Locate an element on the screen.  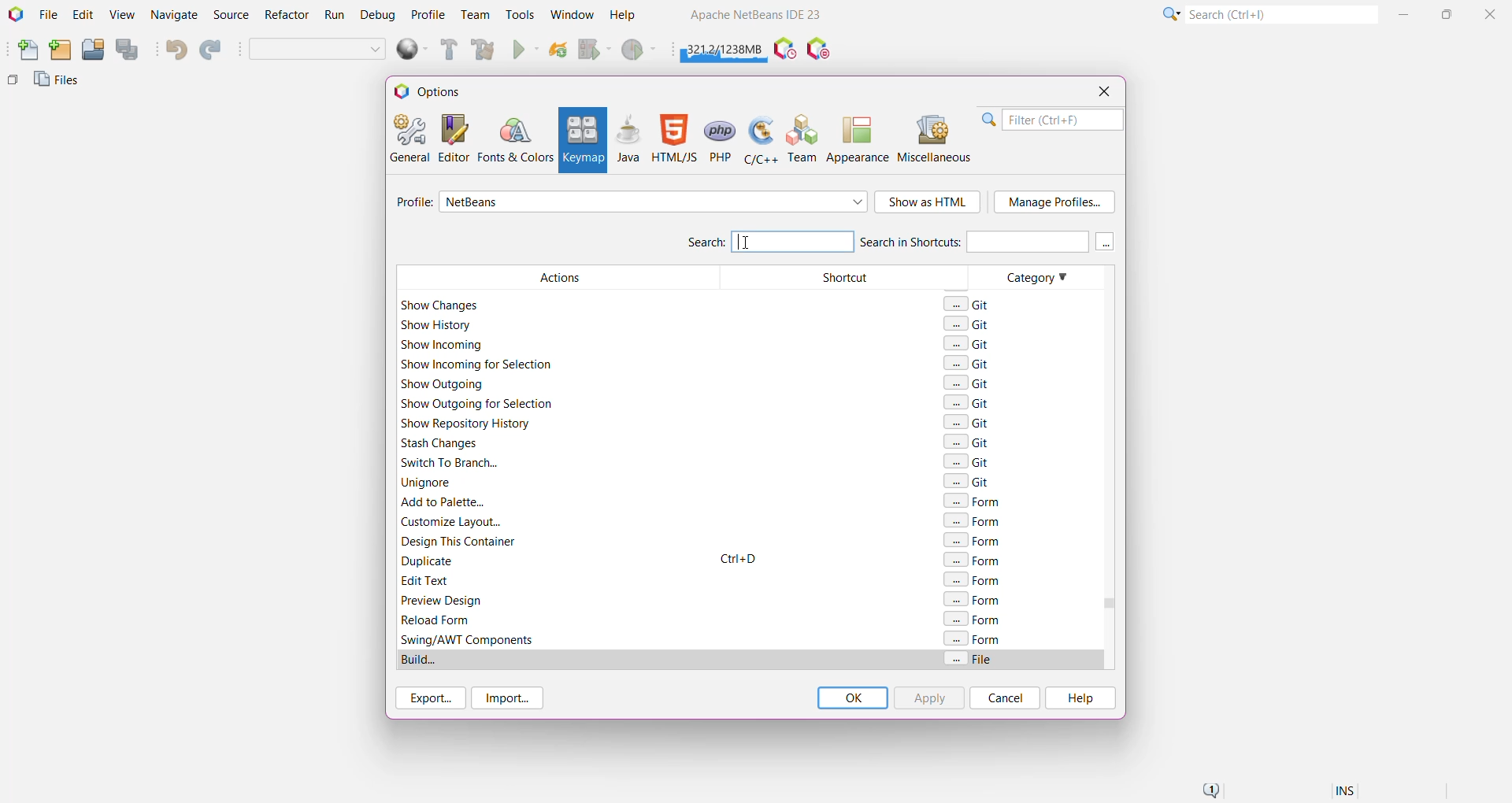
Manage Profile is located at coordinates (1054, 202).